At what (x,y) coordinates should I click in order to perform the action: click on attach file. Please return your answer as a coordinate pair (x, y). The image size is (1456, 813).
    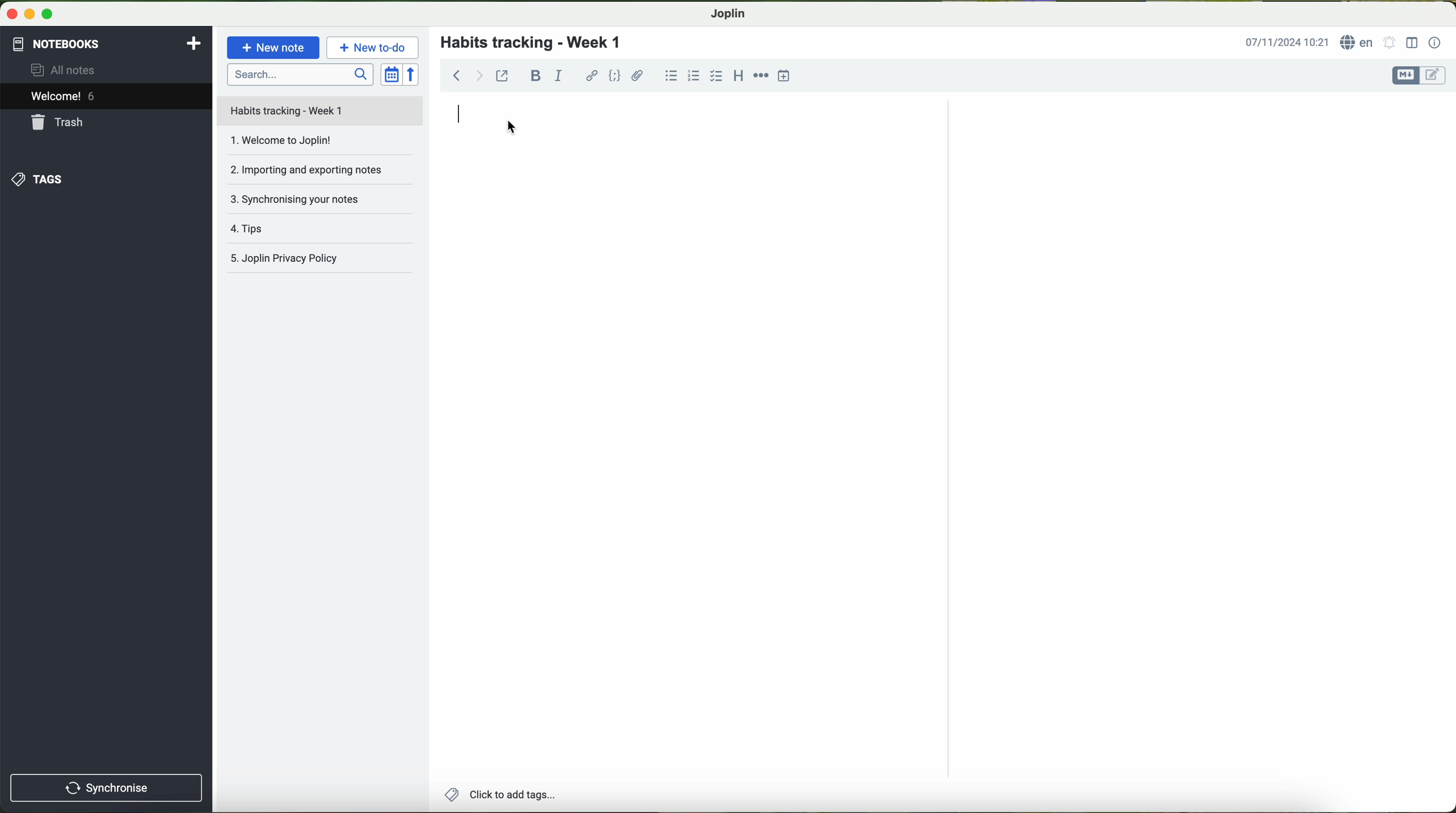
    Looking at the image, I should click on (638, 75).